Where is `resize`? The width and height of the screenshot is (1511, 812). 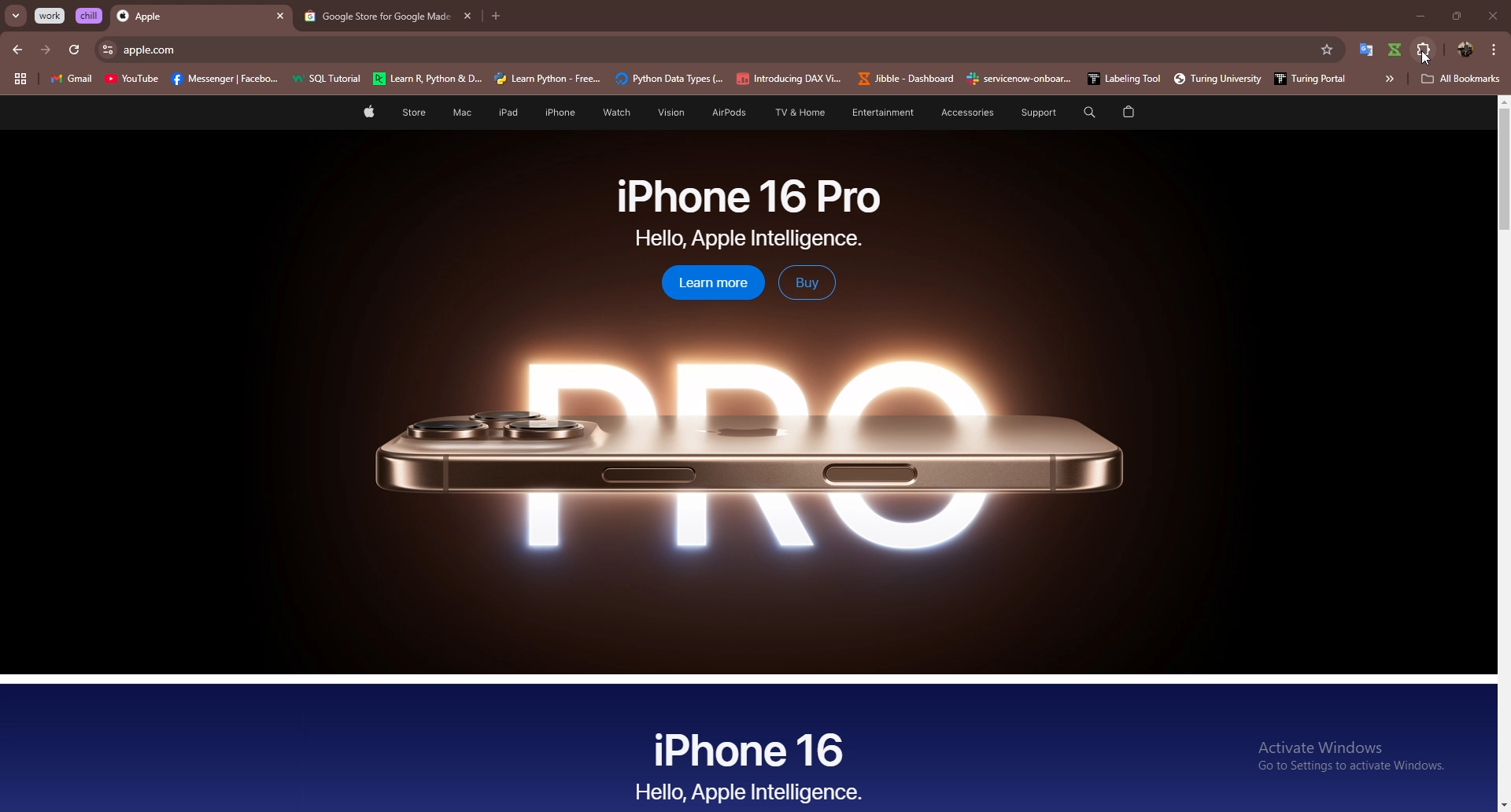 resize is located at coordinates (1456, 16).